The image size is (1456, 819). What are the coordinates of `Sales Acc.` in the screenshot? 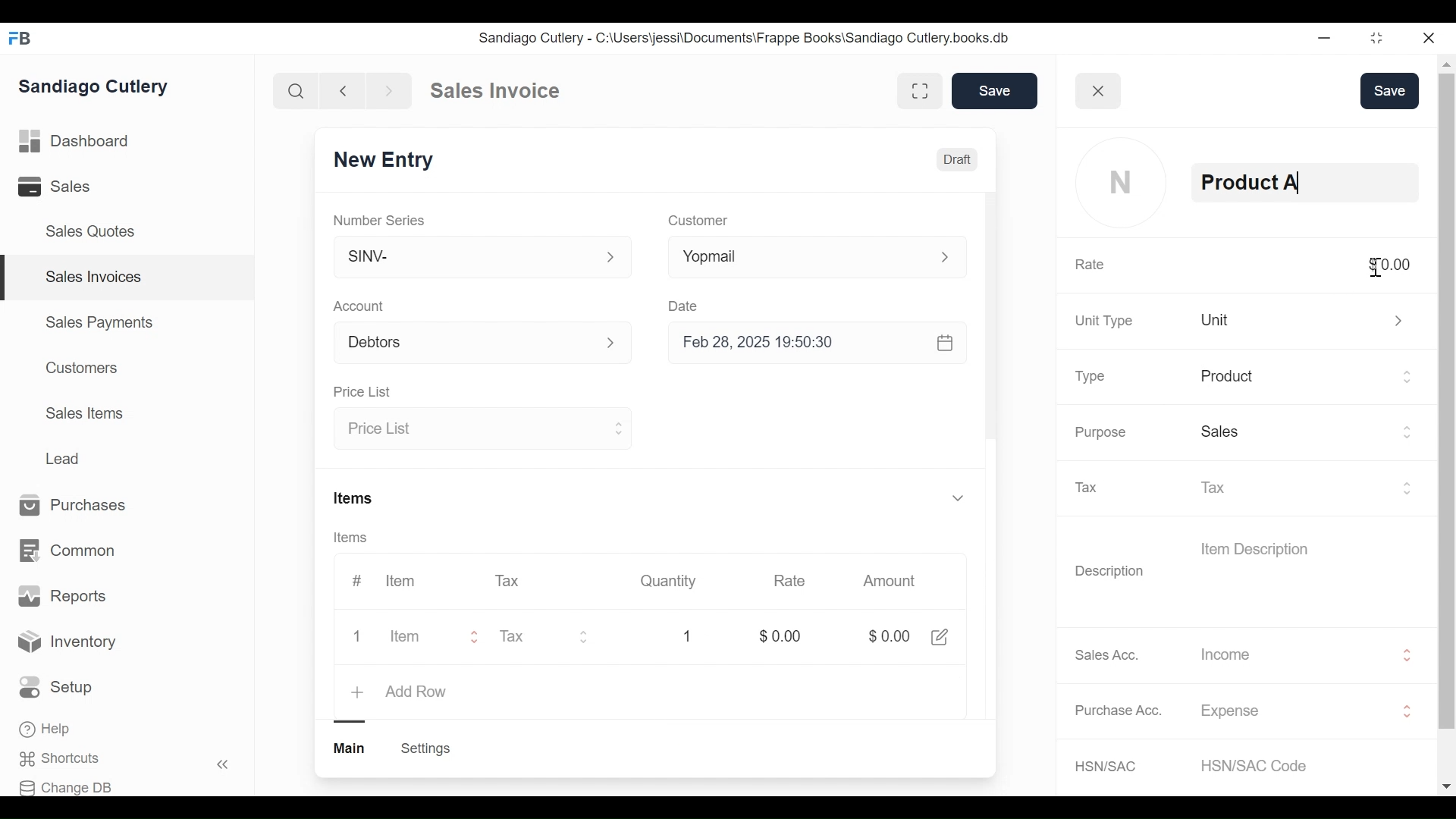 It's located at (1104, 655).